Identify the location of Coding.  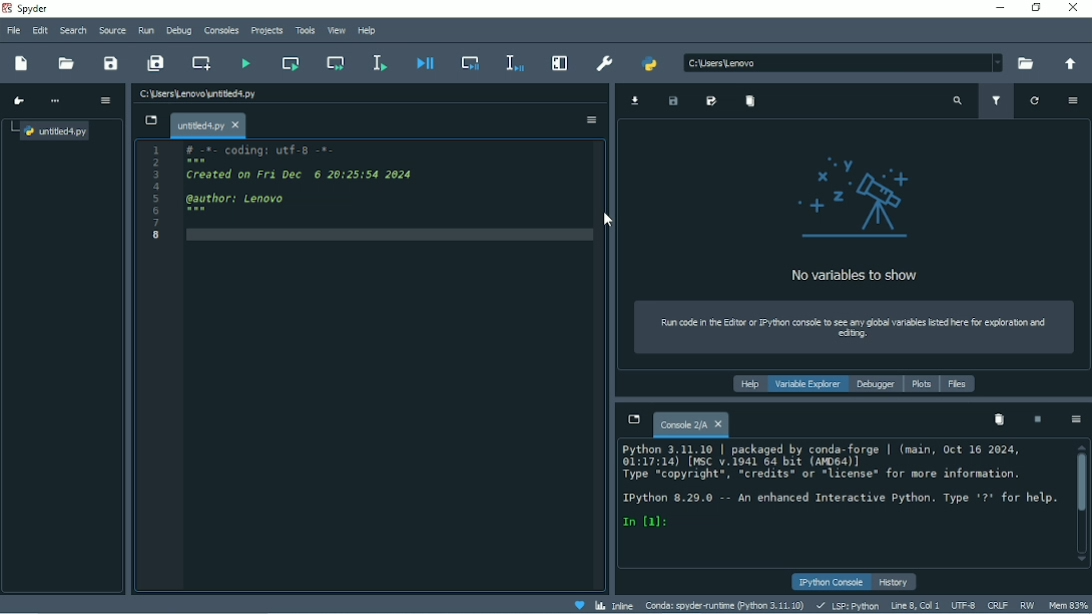
(263, 154).